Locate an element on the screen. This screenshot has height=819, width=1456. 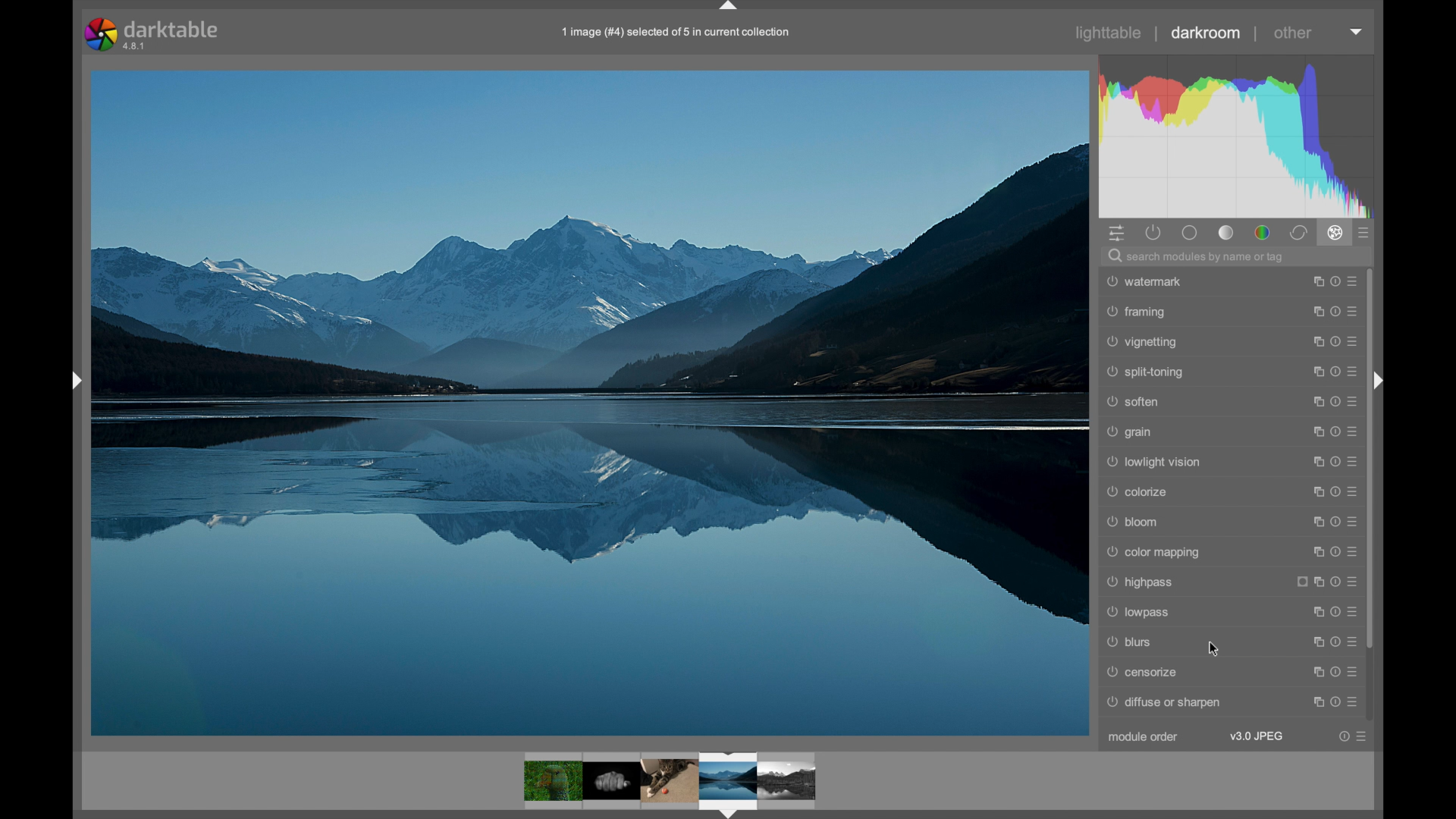
maximize is located at coordinates (1313, 521).